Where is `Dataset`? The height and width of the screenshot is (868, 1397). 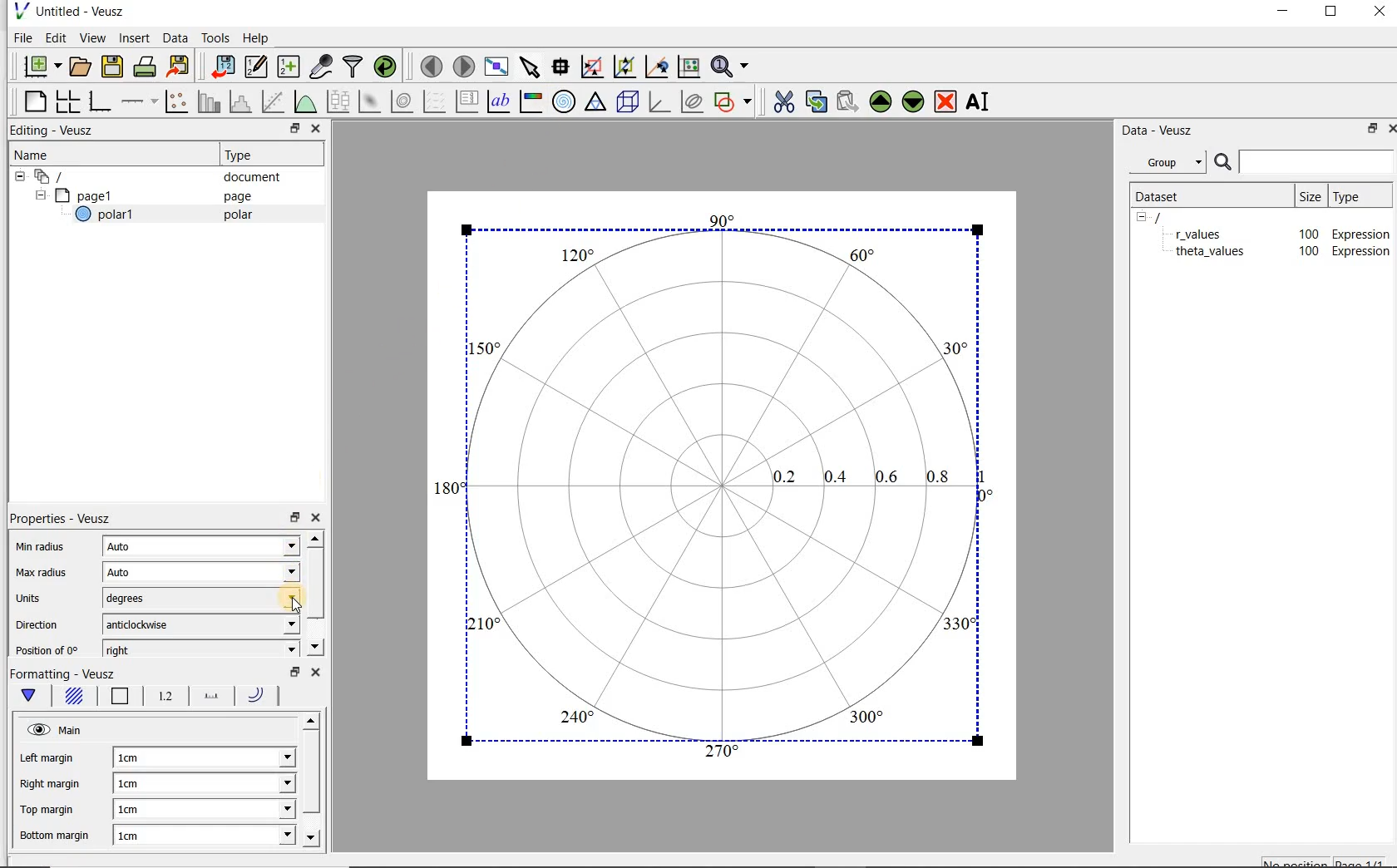
Dataset is located at coordinates (1166, 195).